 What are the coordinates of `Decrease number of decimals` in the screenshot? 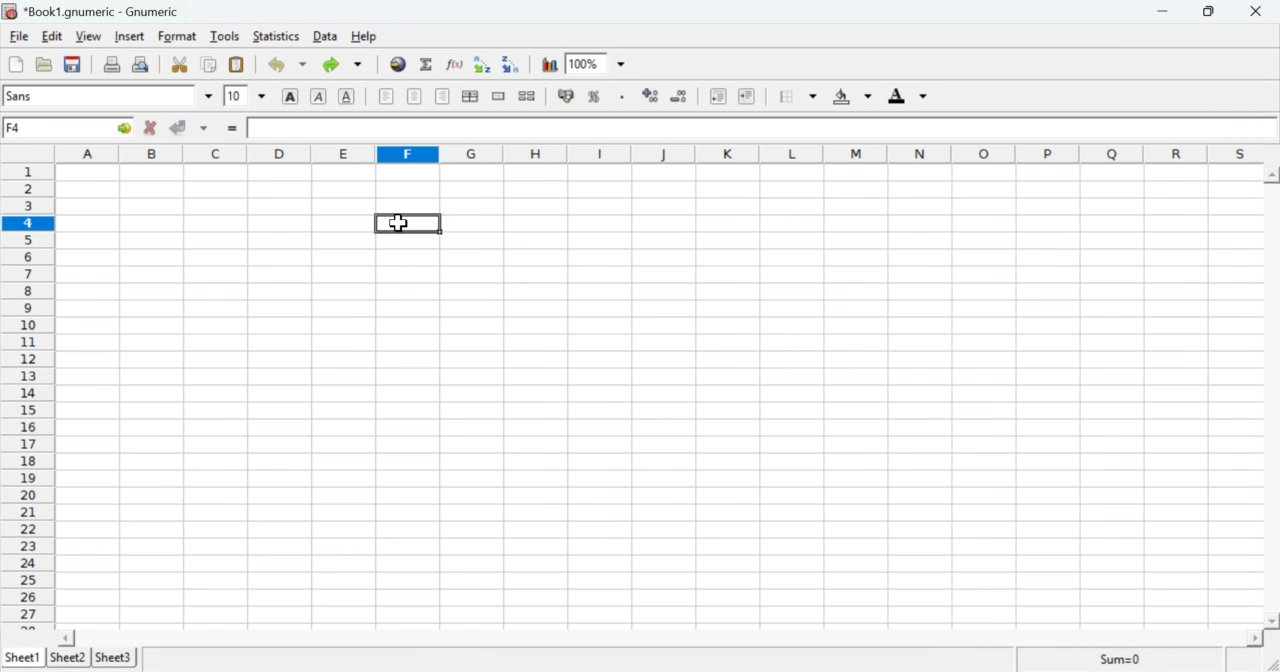 It's located at (680, 96).